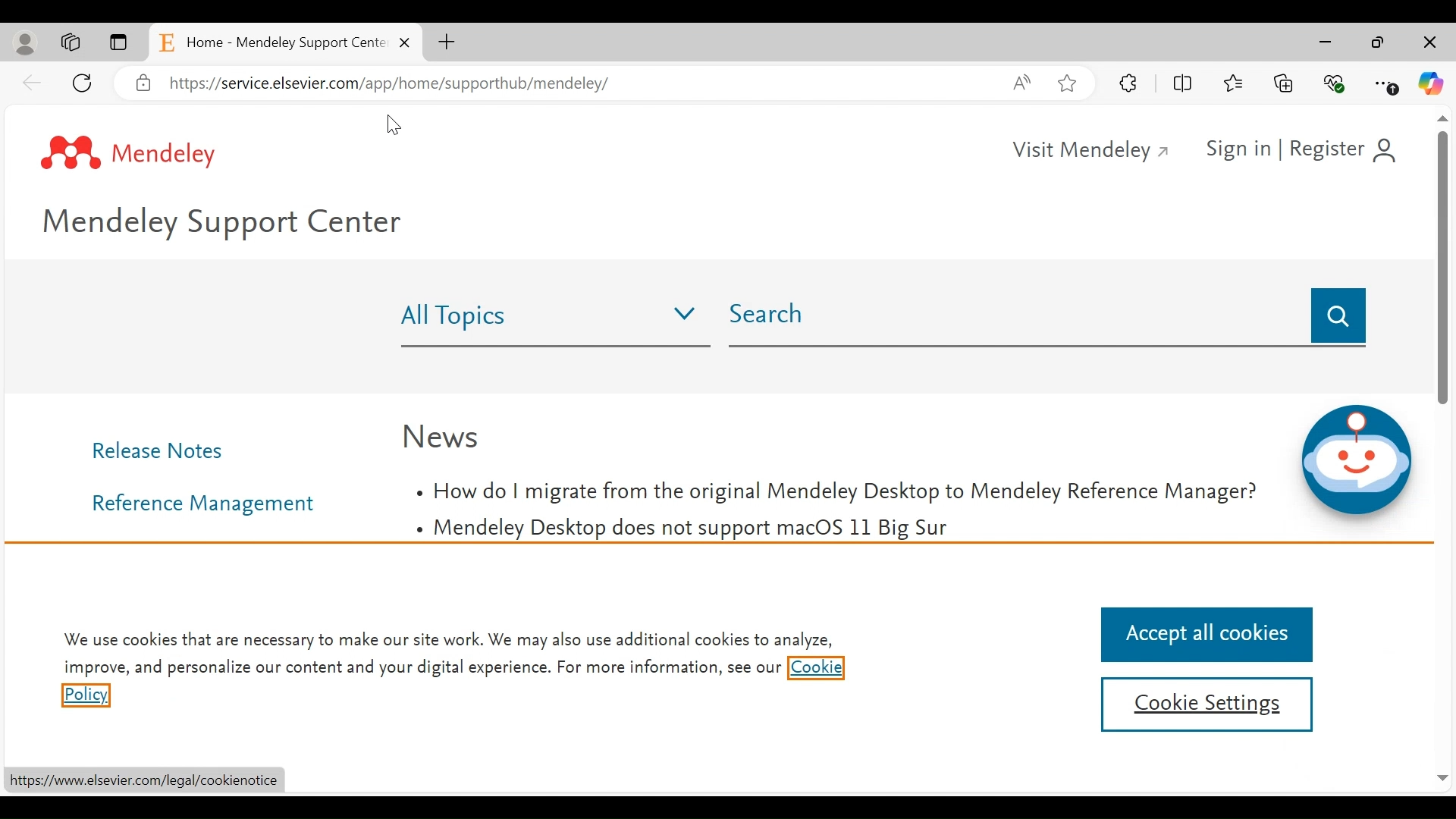  Describe the element at coordinates (1237, 80) in the screenshot. I see `Favorites` at that location.